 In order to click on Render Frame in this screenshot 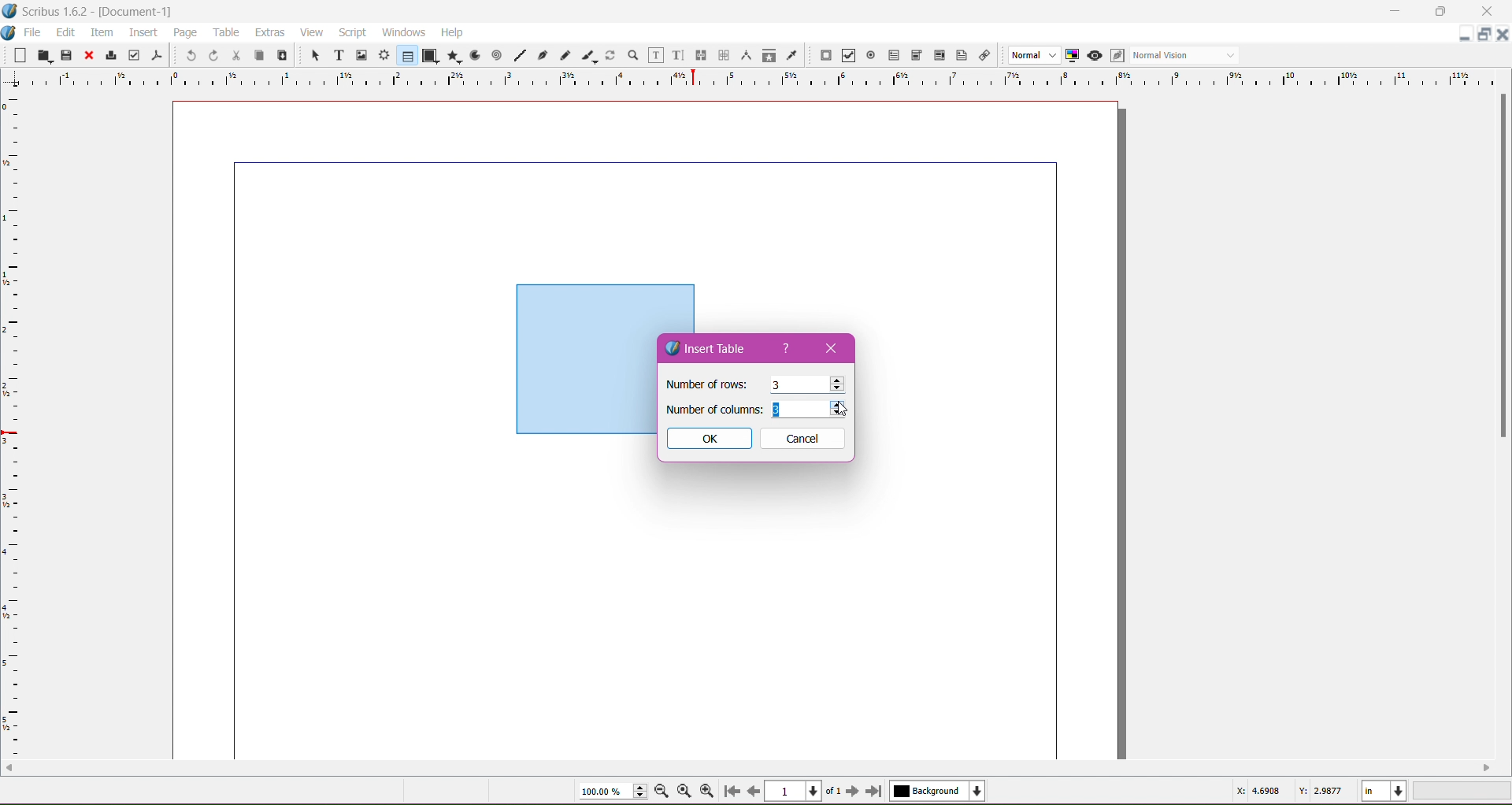, I will do `click(384, 55)`.